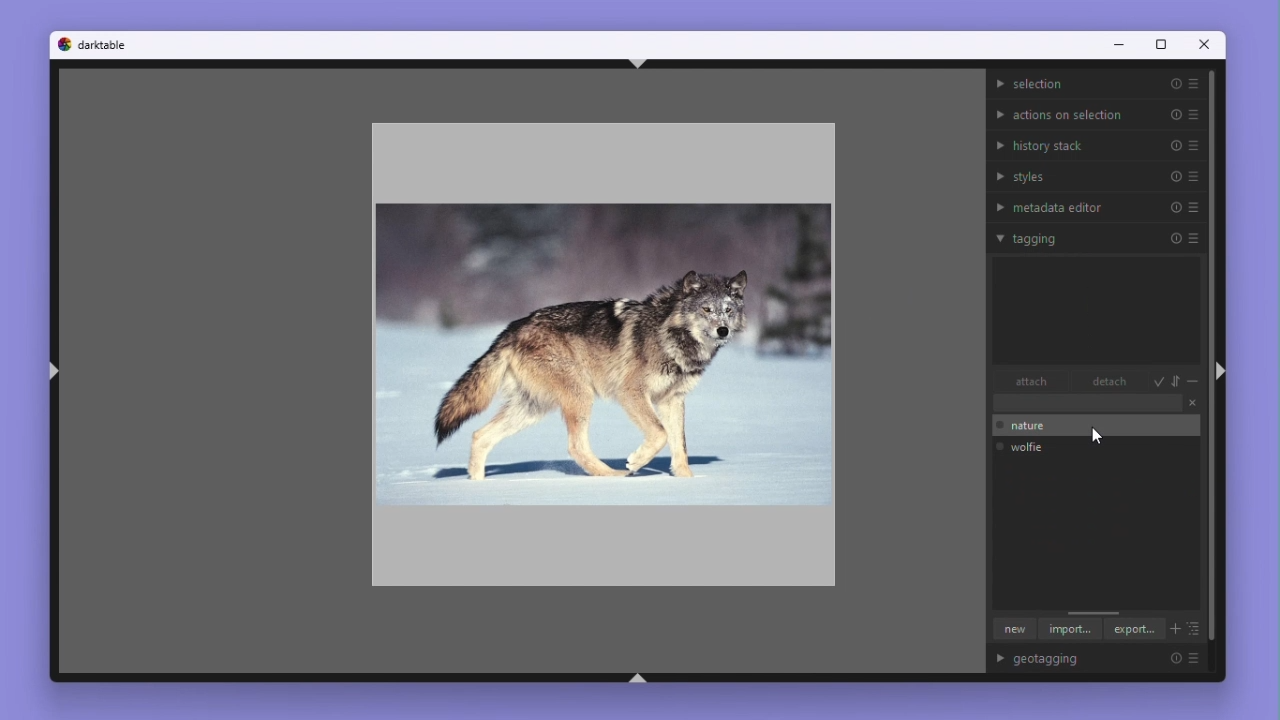  What do you see at coordinates (1099, 438) in the screenshot?
I see `mouse pointer` at bounding box center [1099, 438].